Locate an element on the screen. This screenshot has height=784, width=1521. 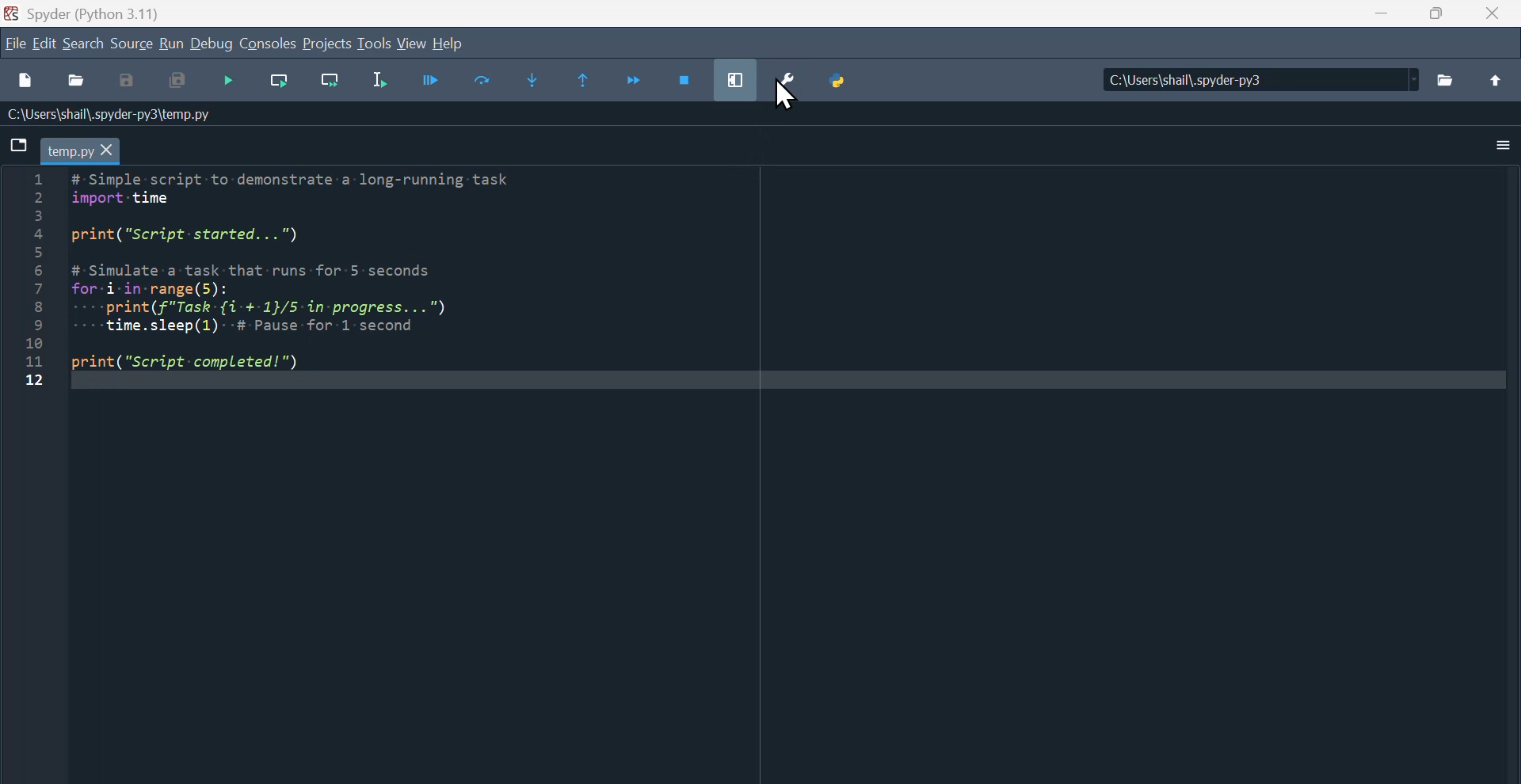
Debug file is located at coordinates (230, 84).